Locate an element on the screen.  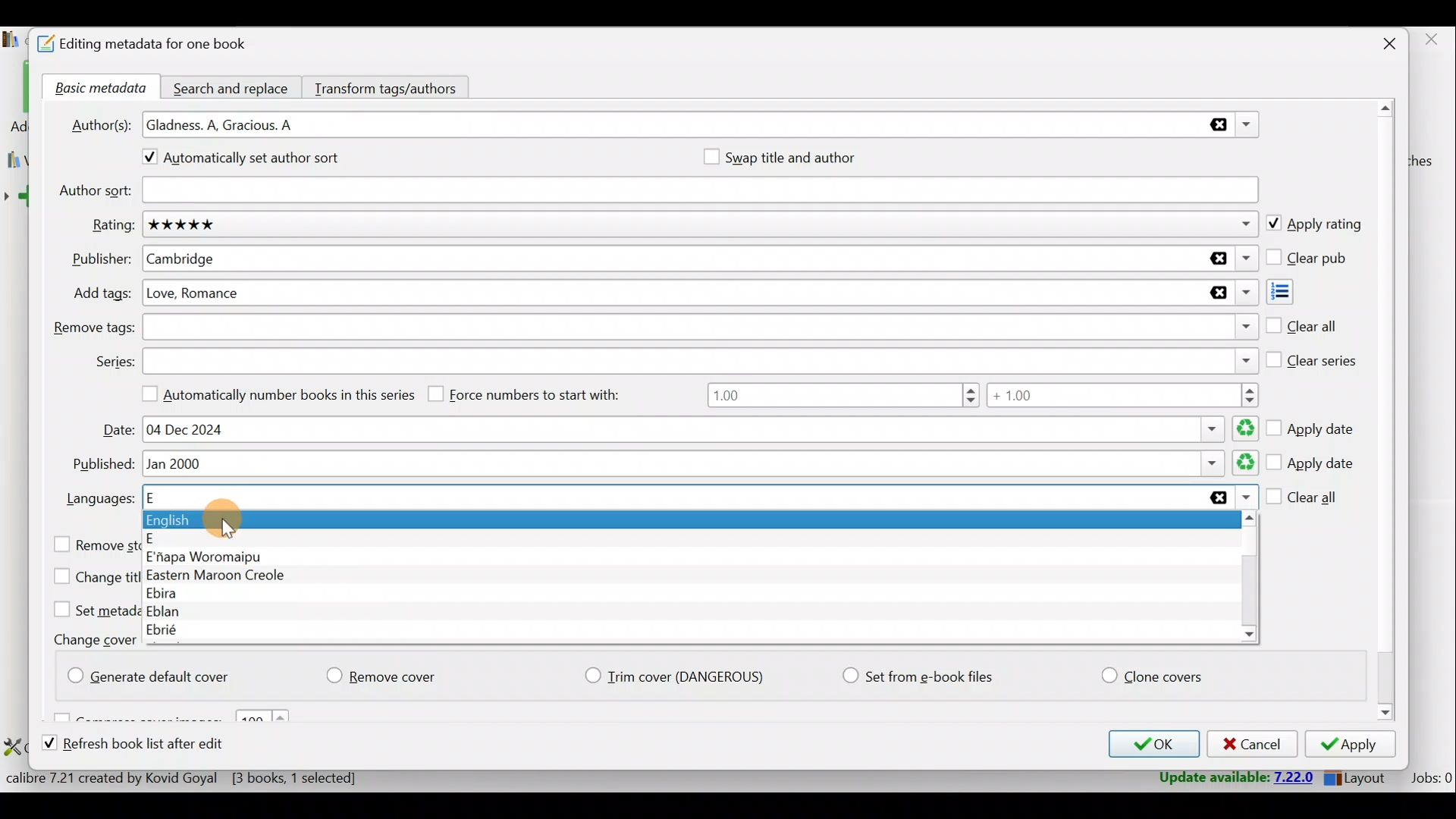
Date: is located at coordinates (119, 430).